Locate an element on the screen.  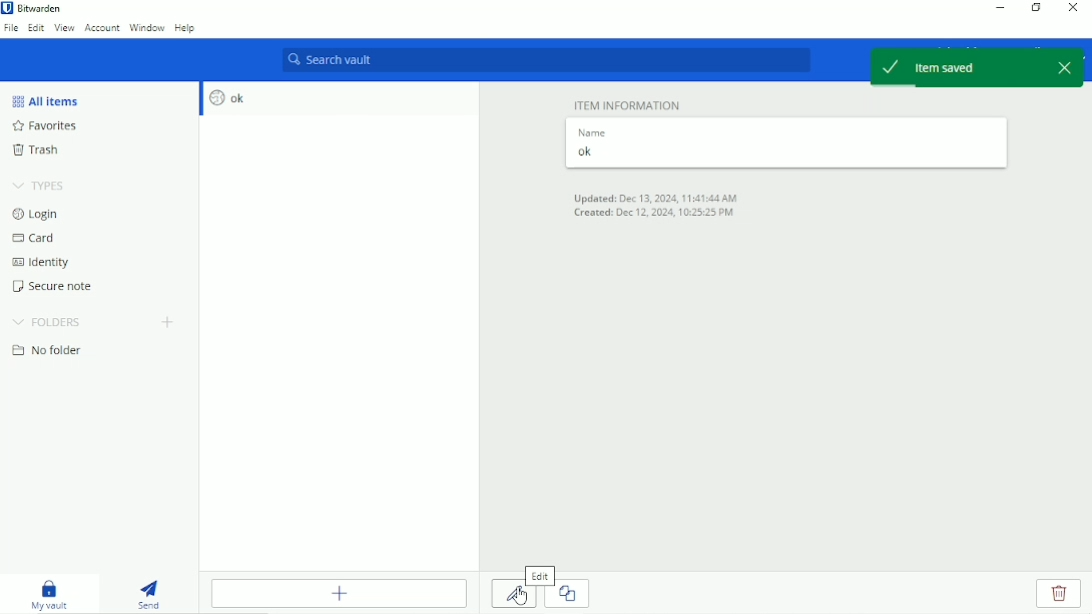
My vault is located at coordinates (53, 593).